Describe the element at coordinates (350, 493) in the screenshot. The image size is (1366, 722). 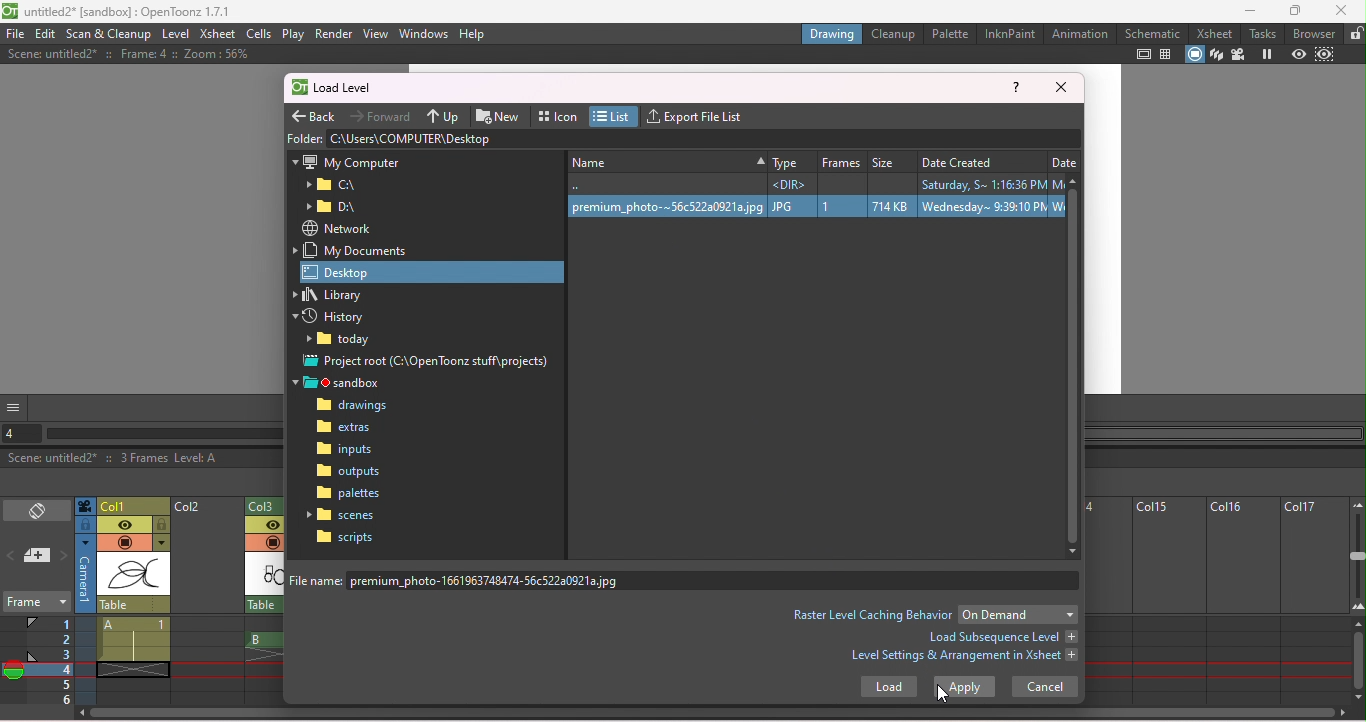
I see `Palettes` at that location.